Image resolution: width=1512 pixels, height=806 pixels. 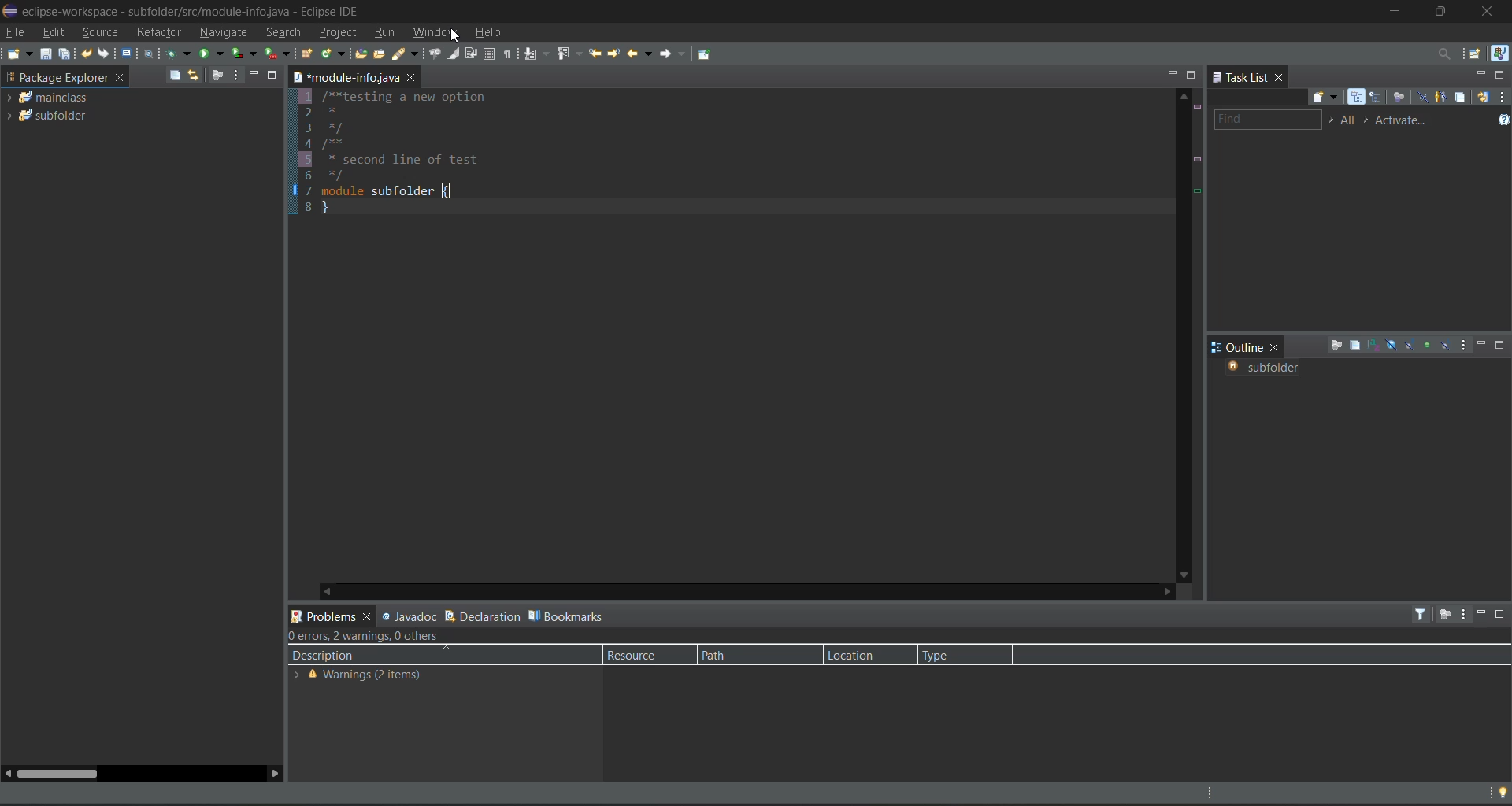 I want to click on 1/**testing a new option 2* 3*/ 4/**5 * second 1i6 */7 module subfolder{8}, so click(x=611, y=335).